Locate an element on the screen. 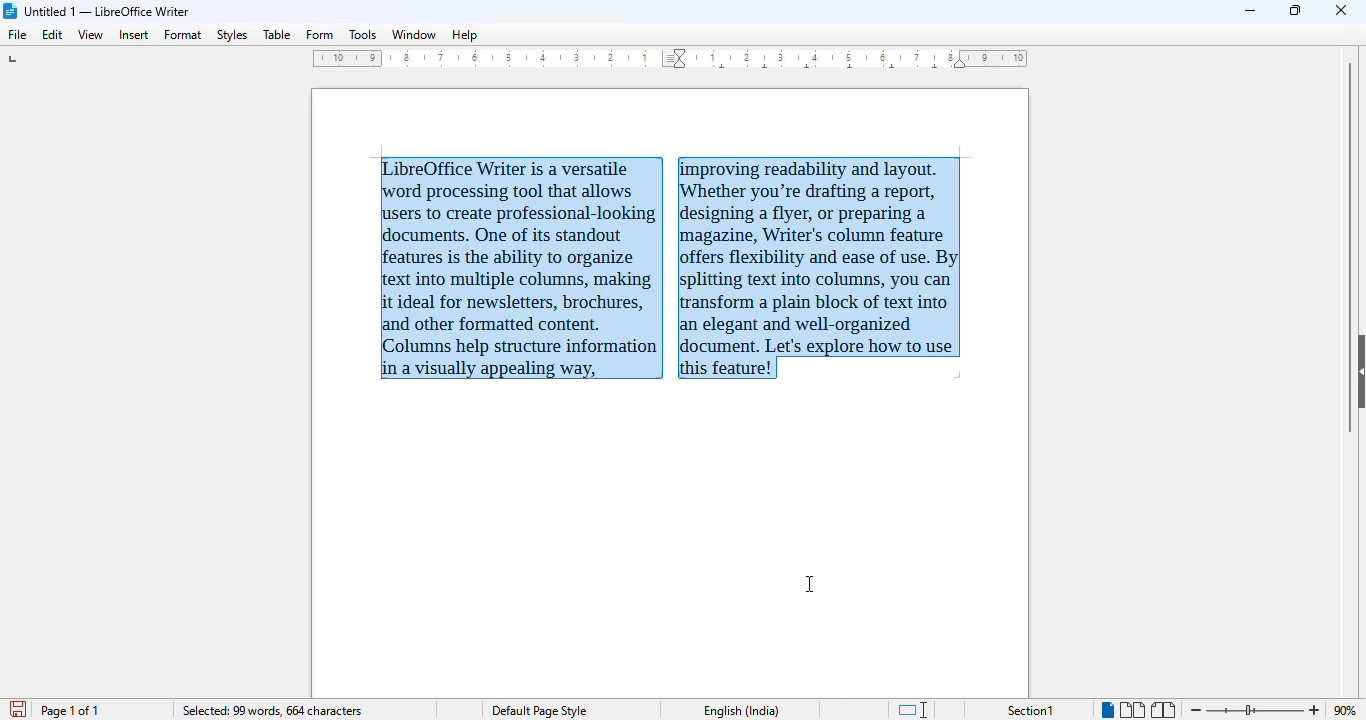  close is located at coordinates (1341, 10).